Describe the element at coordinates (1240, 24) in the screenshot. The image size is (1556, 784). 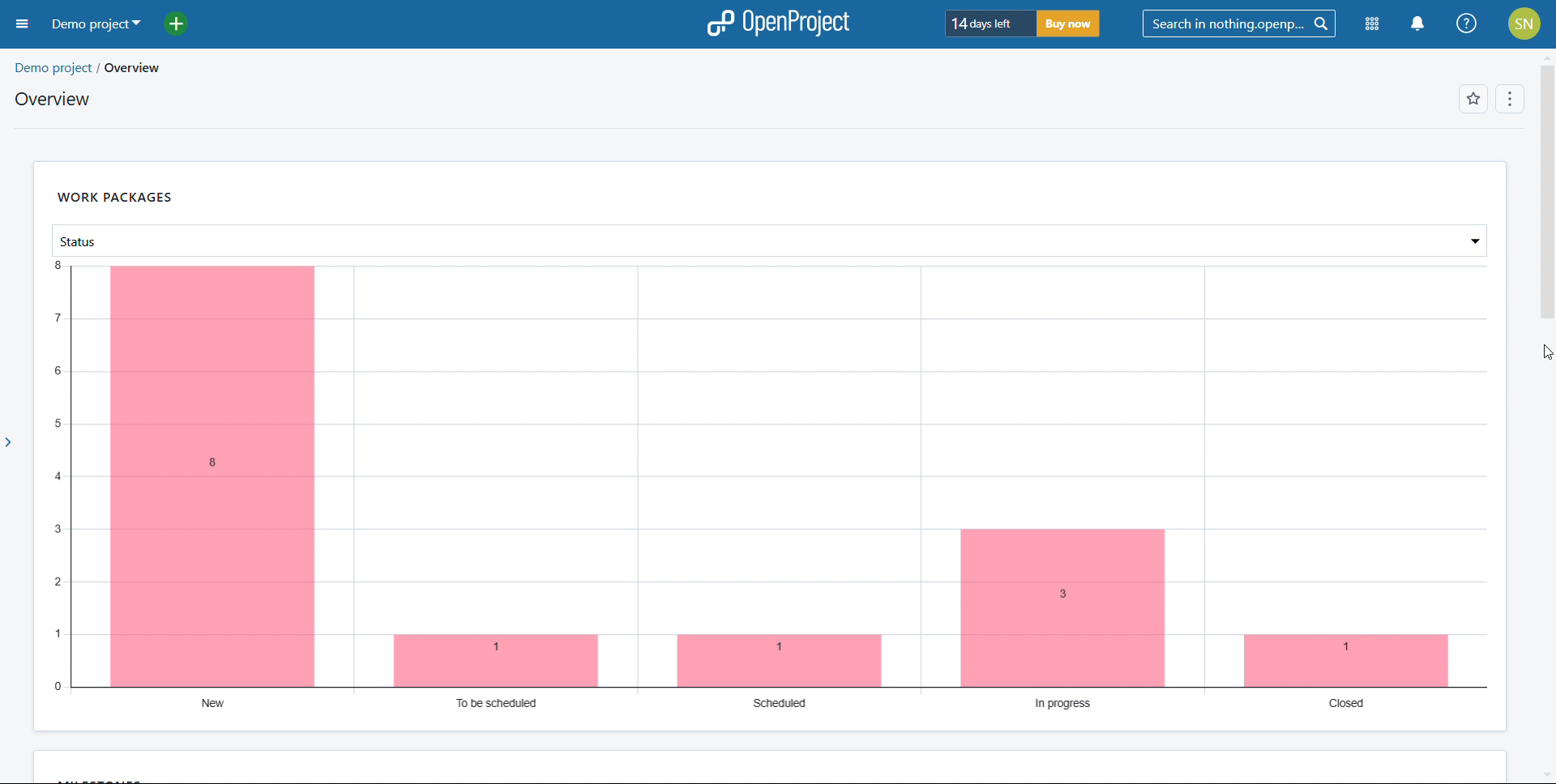
I see `search` at that location.